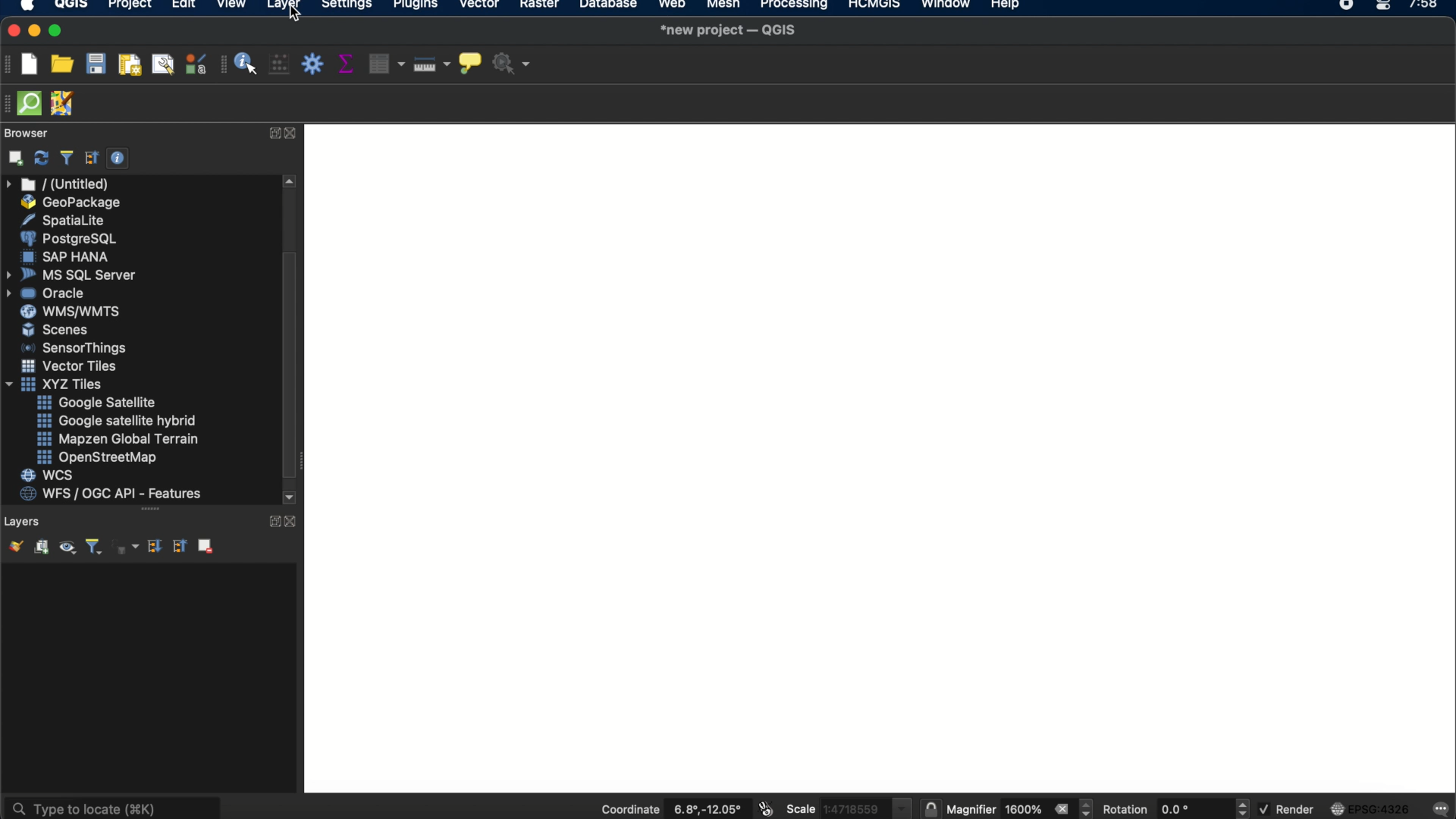 The image size is (1456, 819). Describe the element at coordinates (29, 64) in the screenshot. I see `new project` at that location.